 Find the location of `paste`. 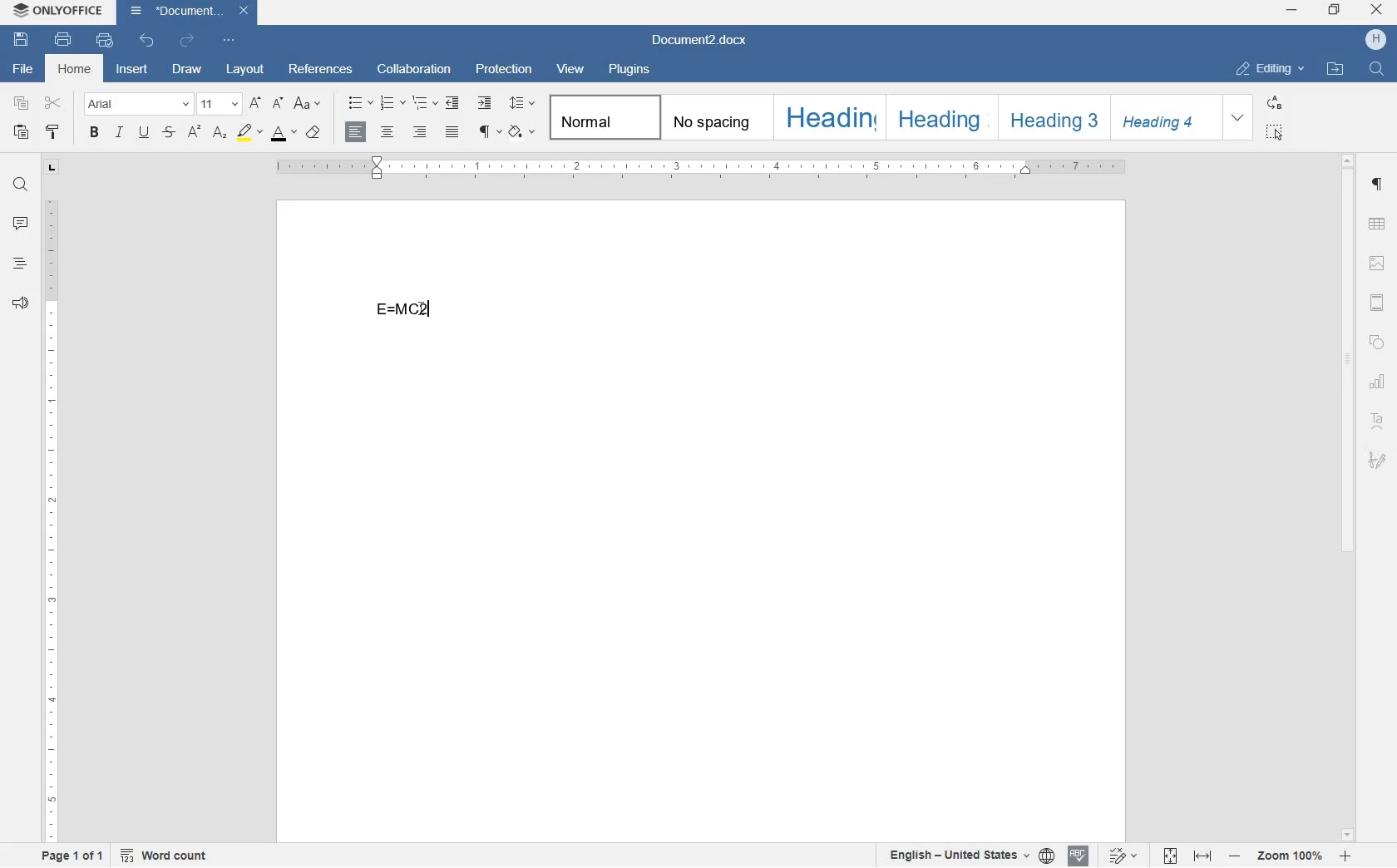

paste is located at coordinates (23, 134).